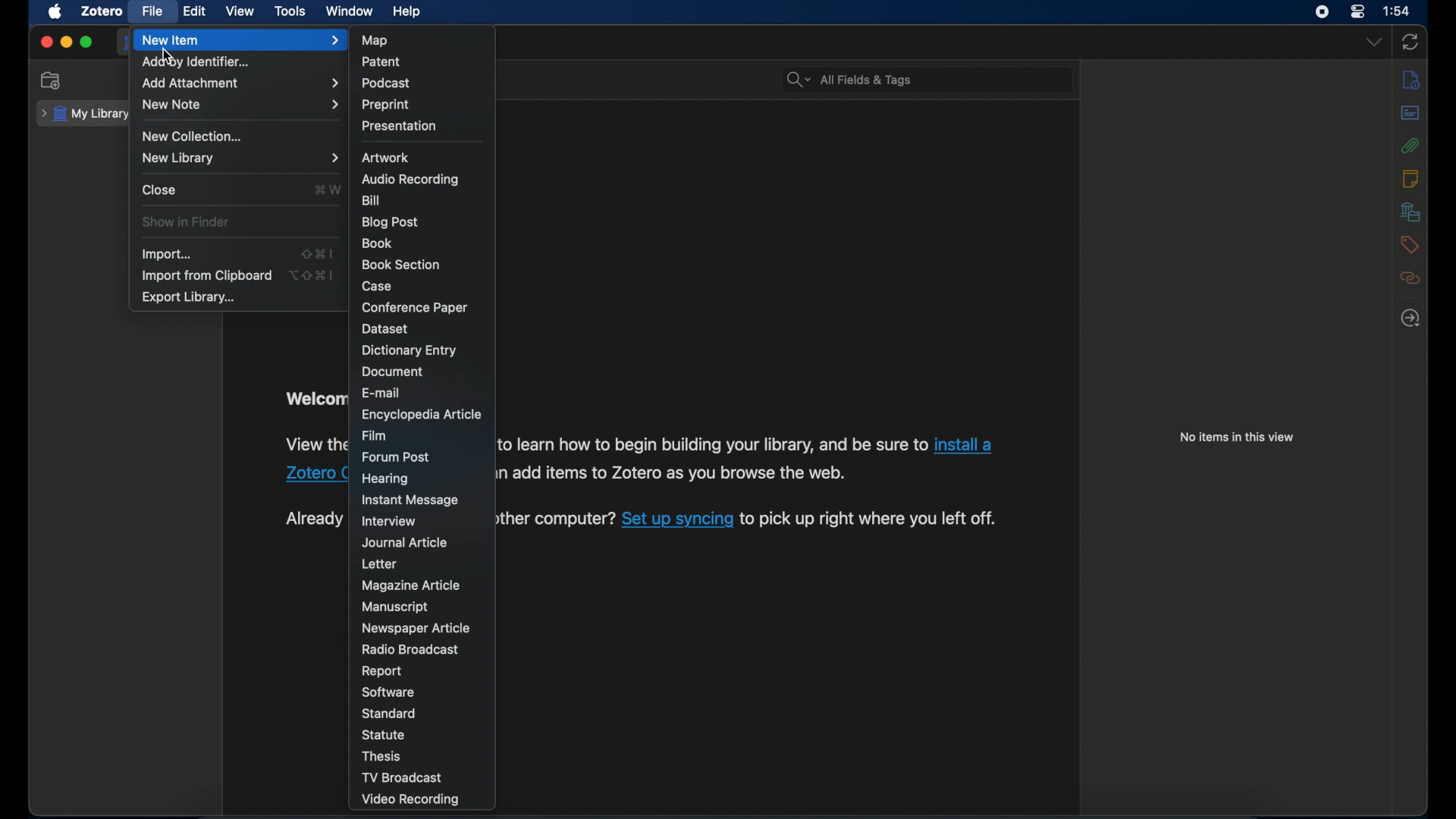  Describe the element at coordinates (240, 40) in the screenshot. I see `new item` at that location.